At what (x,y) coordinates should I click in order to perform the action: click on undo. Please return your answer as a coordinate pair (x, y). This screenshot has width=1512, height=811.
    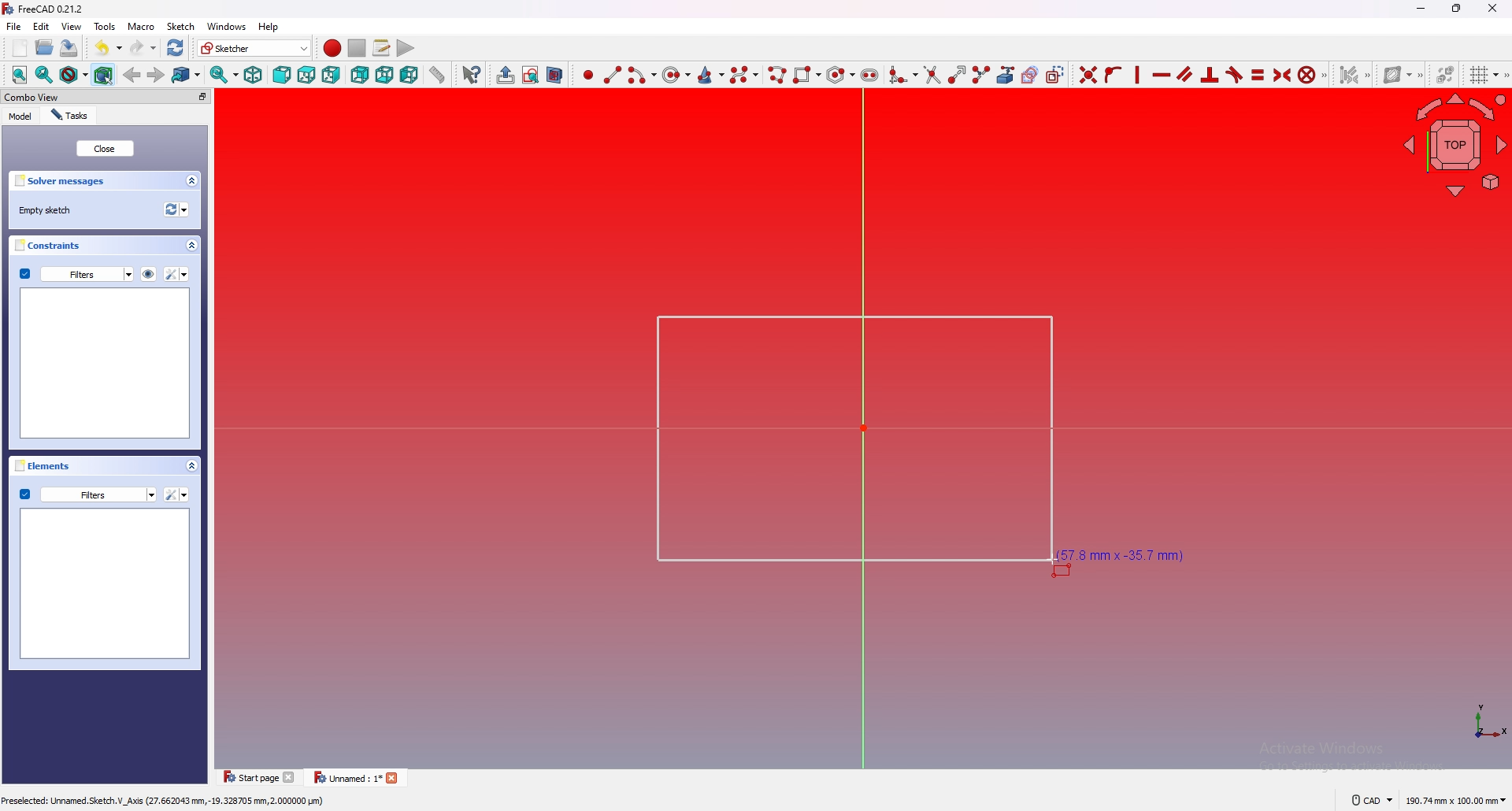
    Looking at the image, I should click on (109, 47).